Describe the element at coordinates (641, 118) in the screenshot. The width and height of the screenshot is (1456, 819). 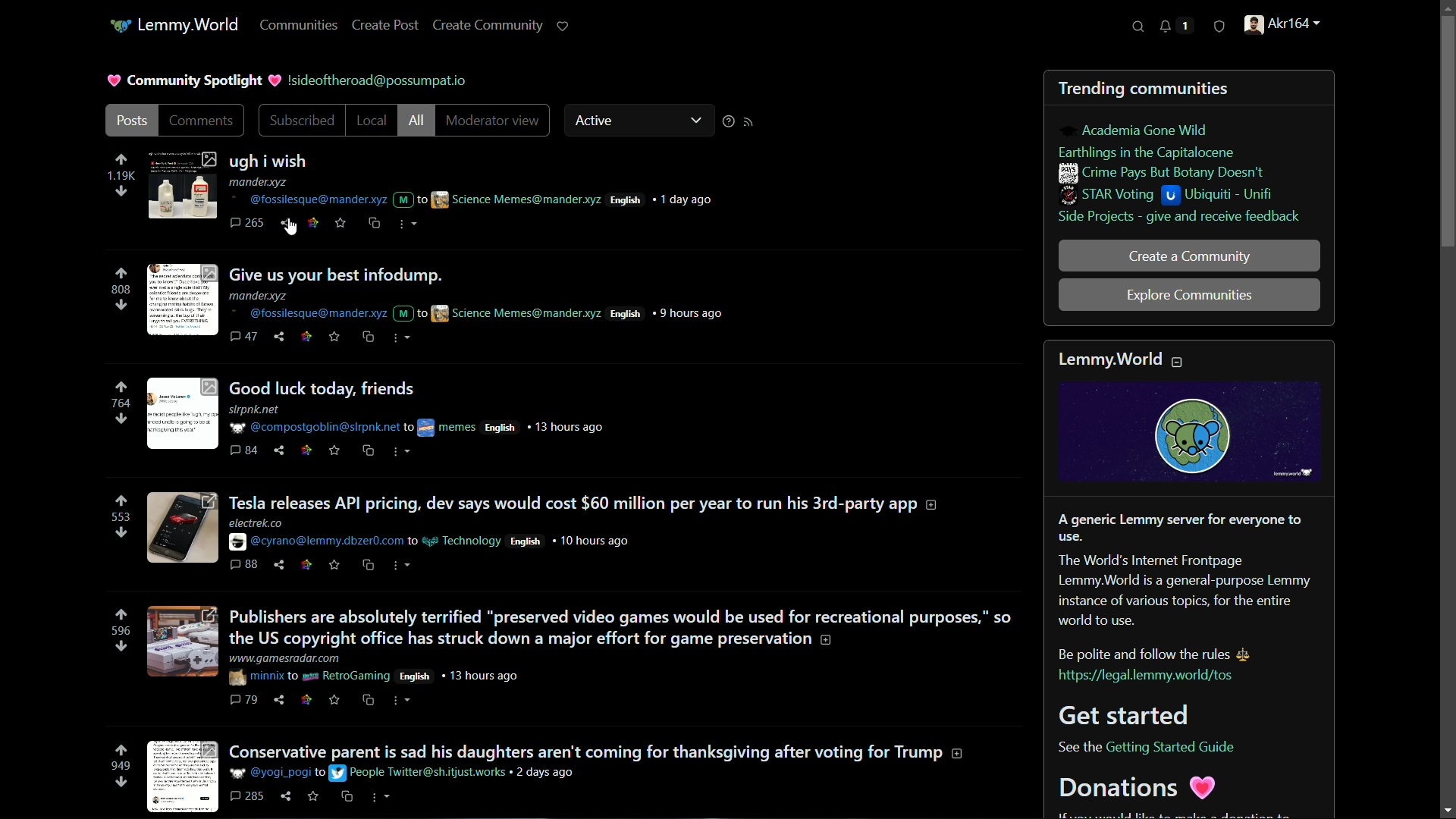
I see `active` at that location.